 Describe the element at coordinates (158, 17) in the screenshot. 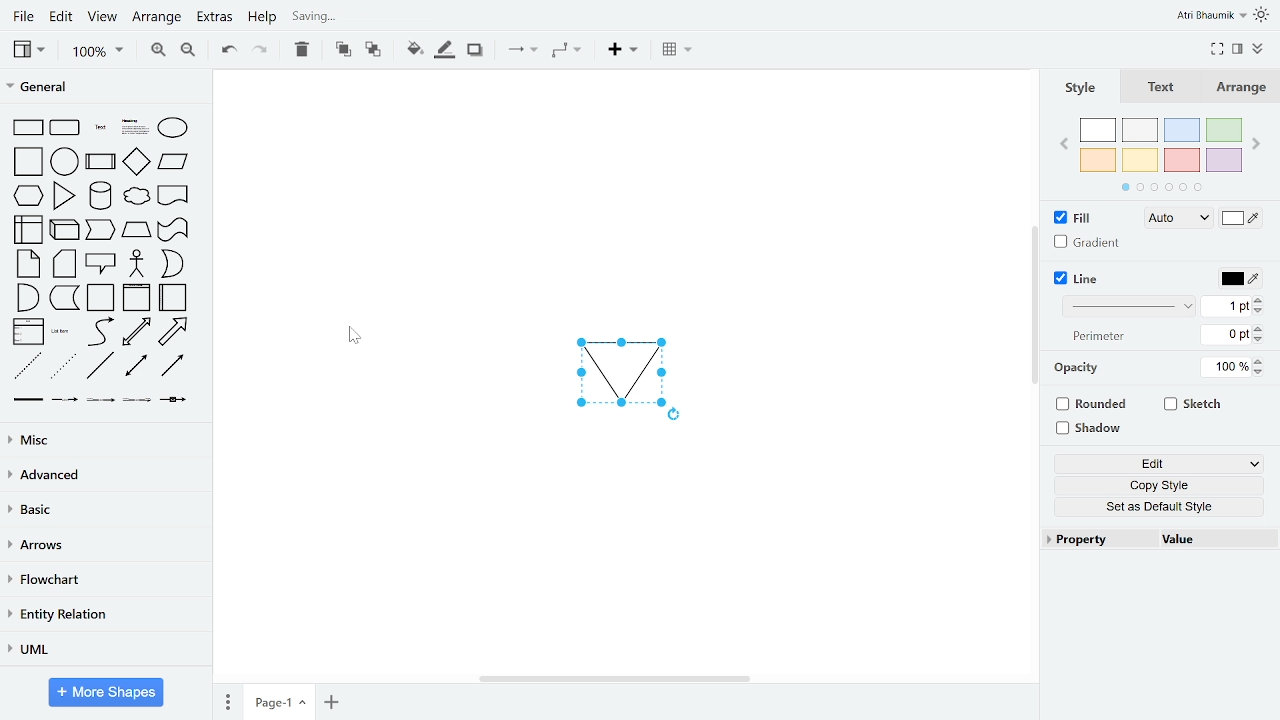

I see `arrange` at that location.